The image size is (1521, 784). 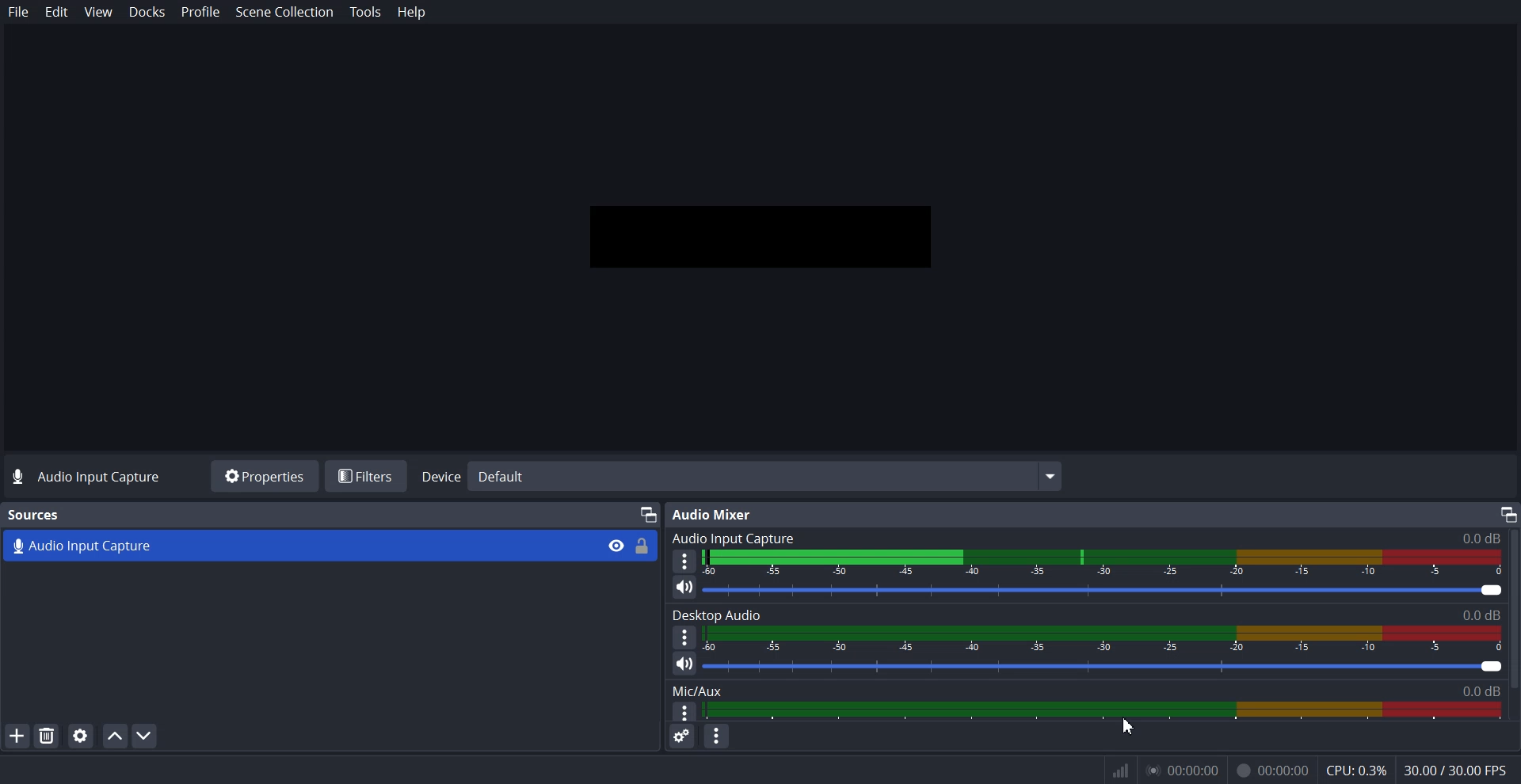 I want to click on More , so click(x=684, y=561).